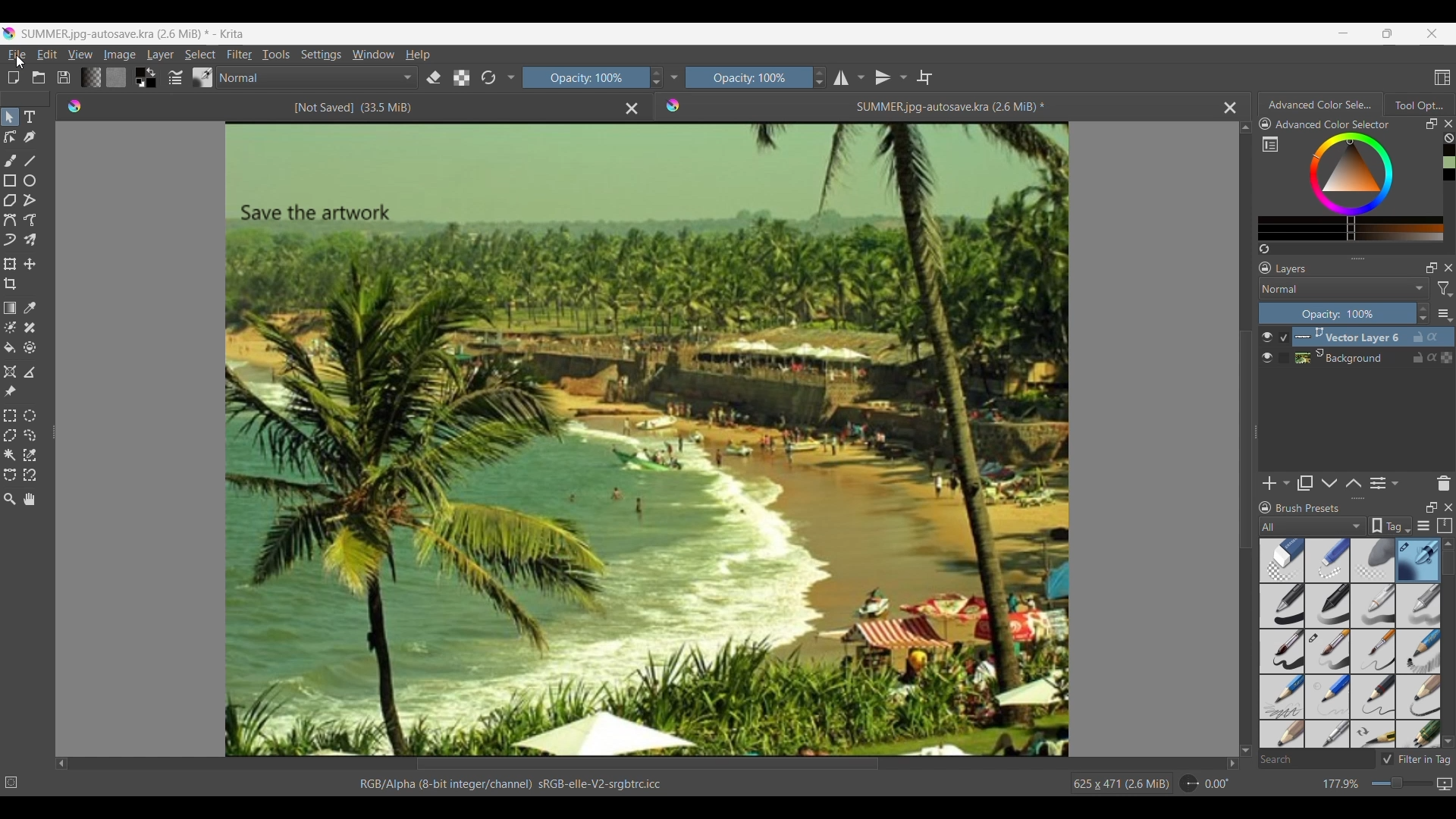 The height and width of the screenshot is (819, 1456). I want to click on Mode options, so click(1345, 288).